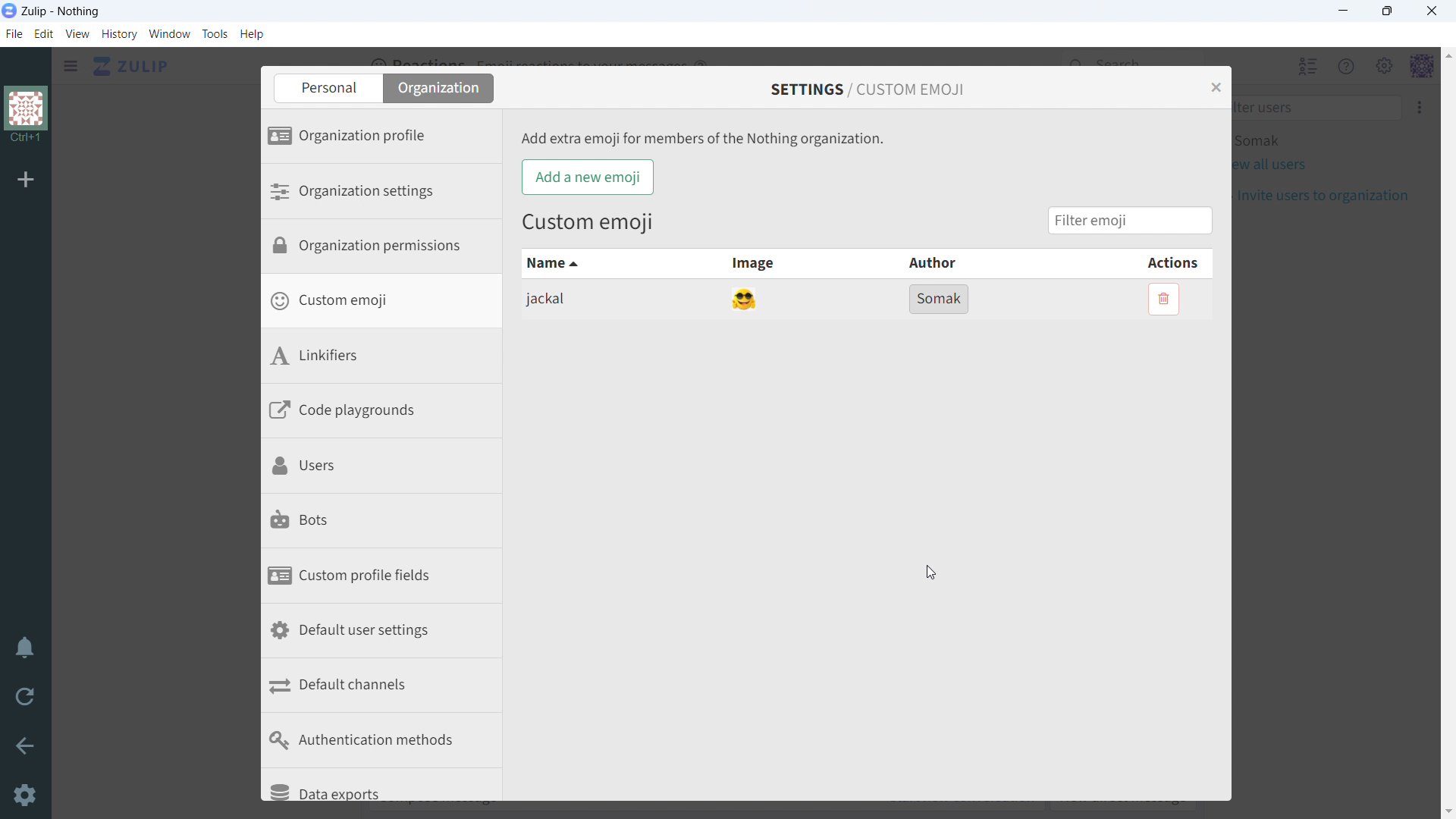 The width and height of the screenshot is (1456, 819). I want to click on title, so click(61, 12).